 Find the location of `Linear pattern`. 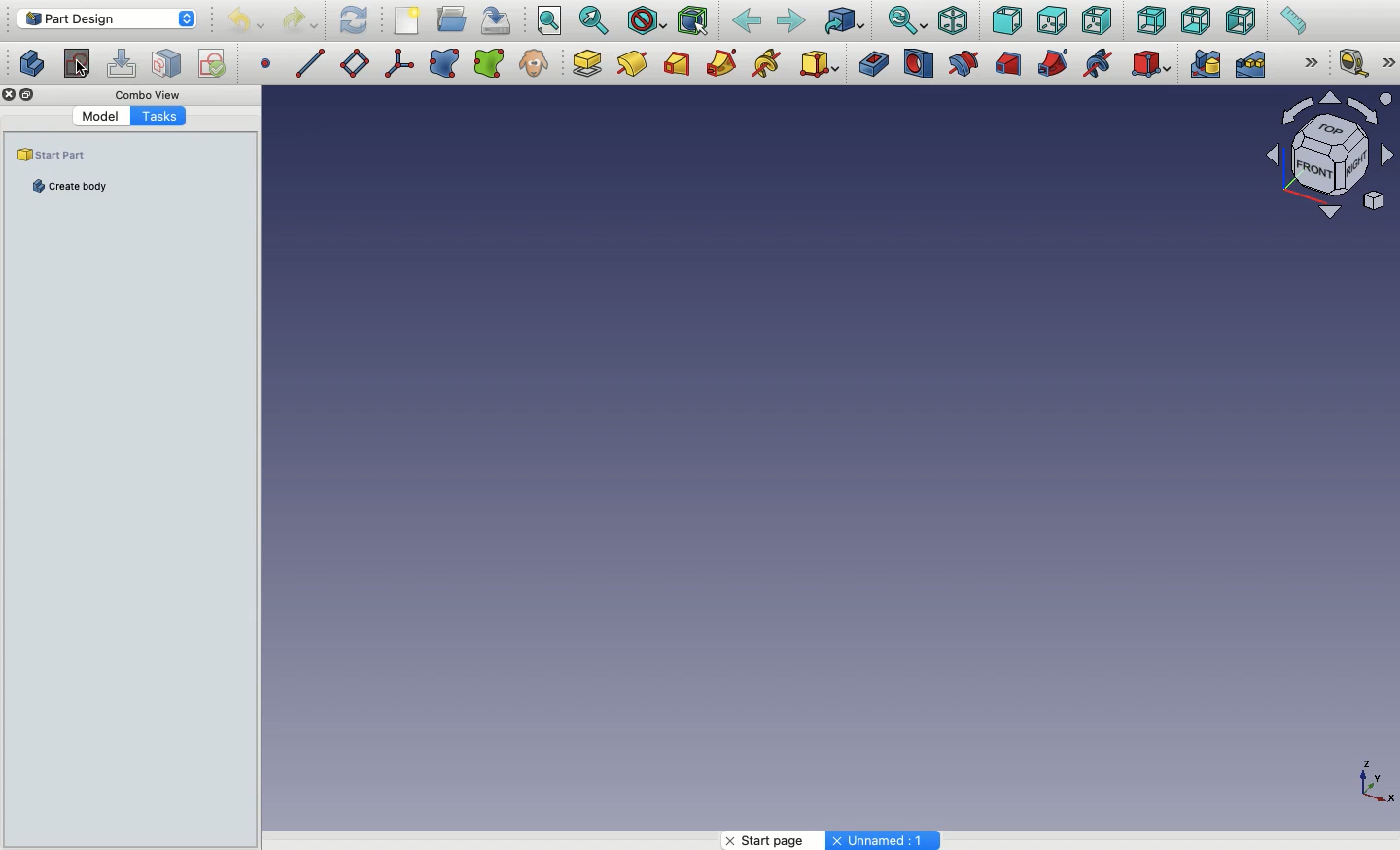

Linear pattern is located at coordinates (1248, 64).